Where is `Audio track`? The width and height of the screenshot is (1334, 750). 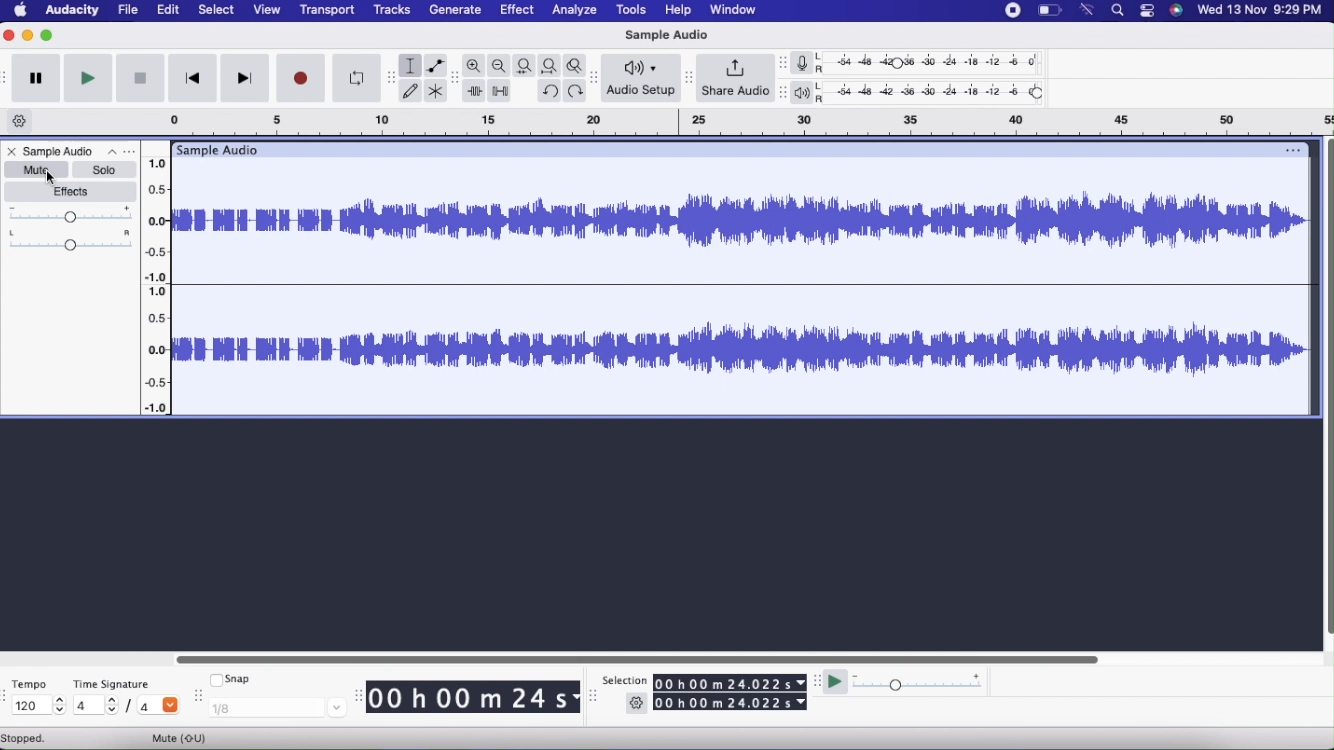 Audio track is located at coordinates (742, 287).